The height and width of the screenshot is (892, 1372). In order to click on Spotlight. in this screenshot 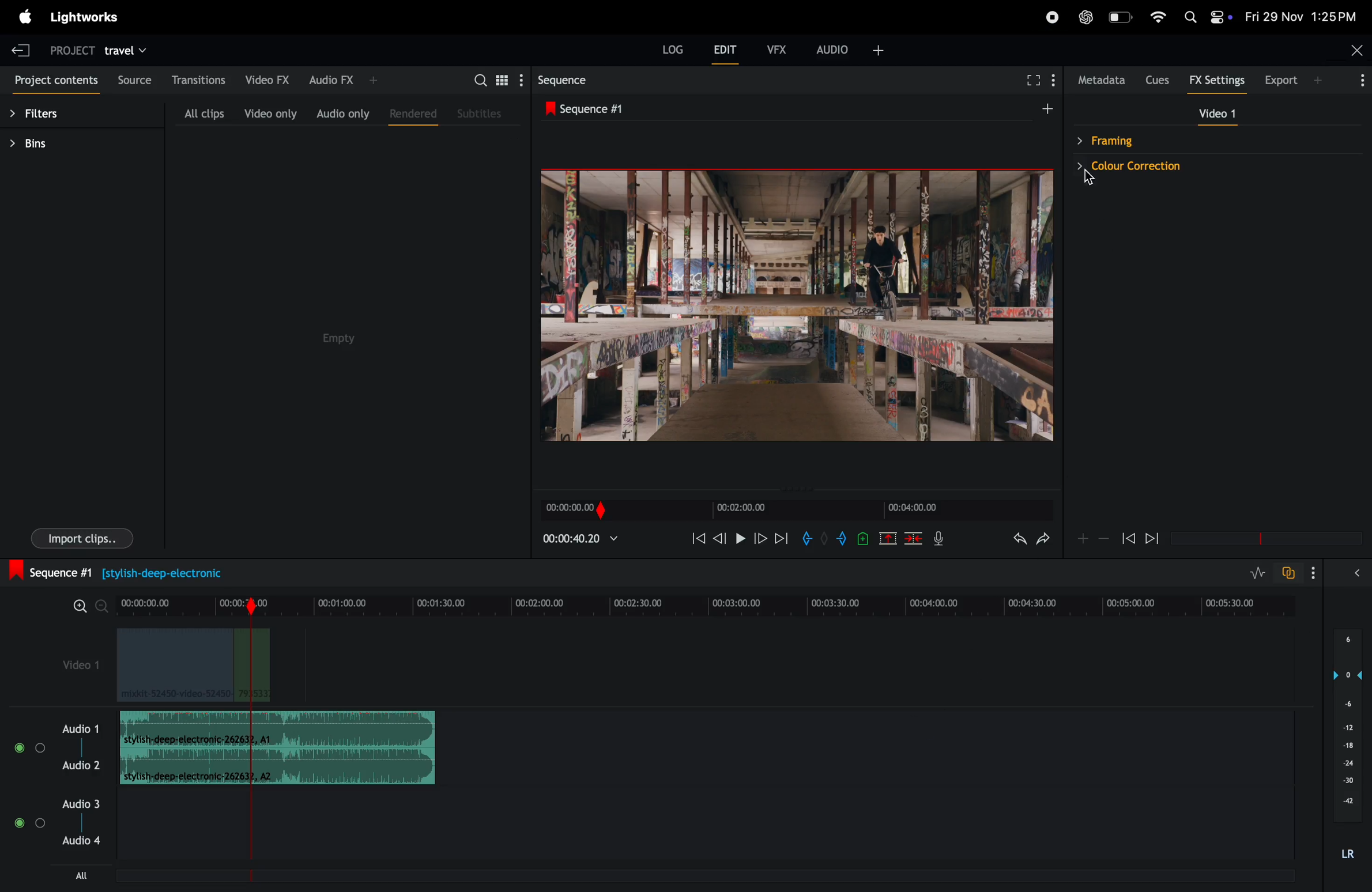, I will do `click(1192, 16)`.